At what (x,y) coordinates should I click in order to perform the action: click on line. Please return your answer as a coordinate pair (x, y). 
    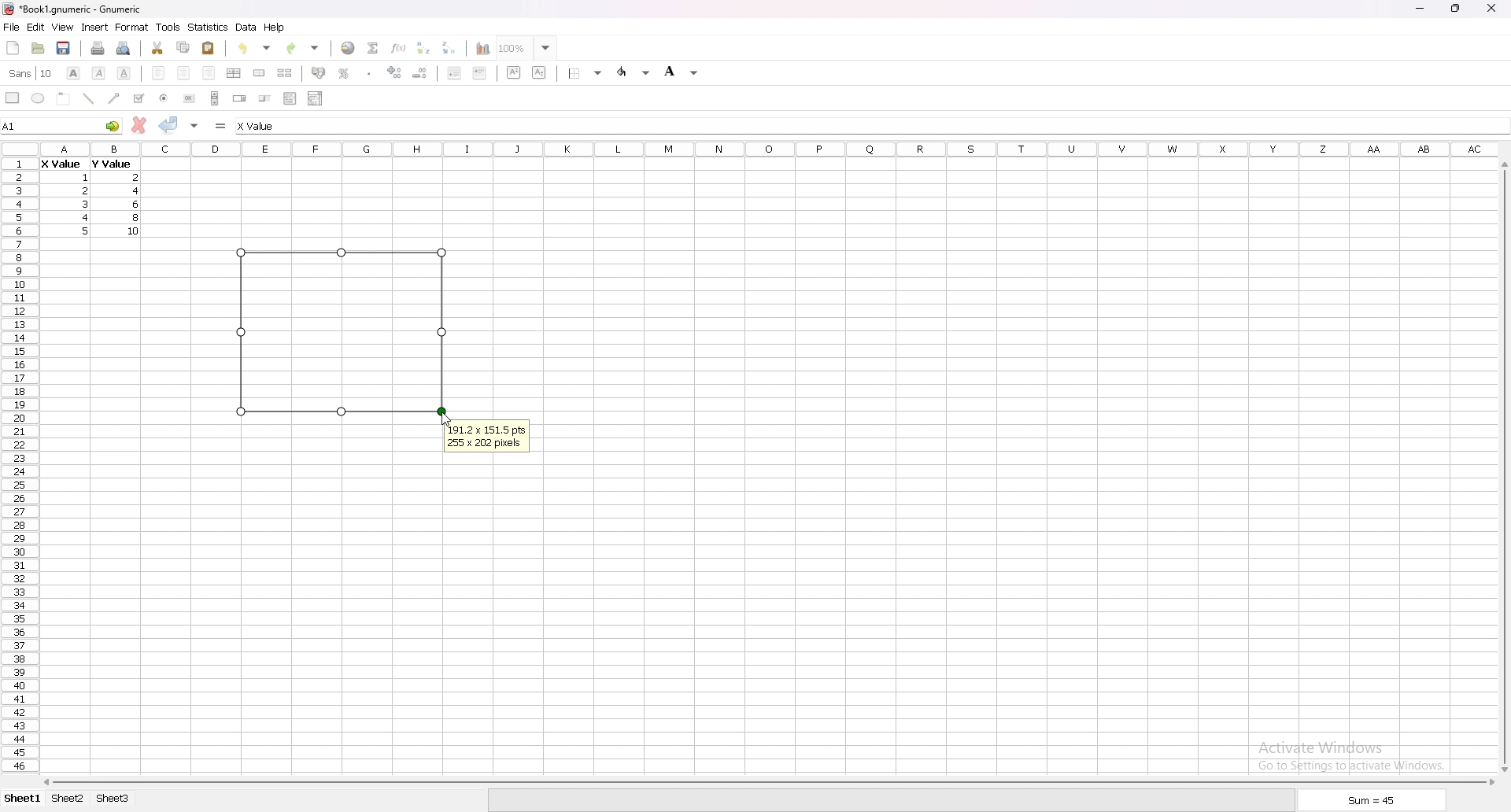
    Looking at the image, I should click on (88, 98).